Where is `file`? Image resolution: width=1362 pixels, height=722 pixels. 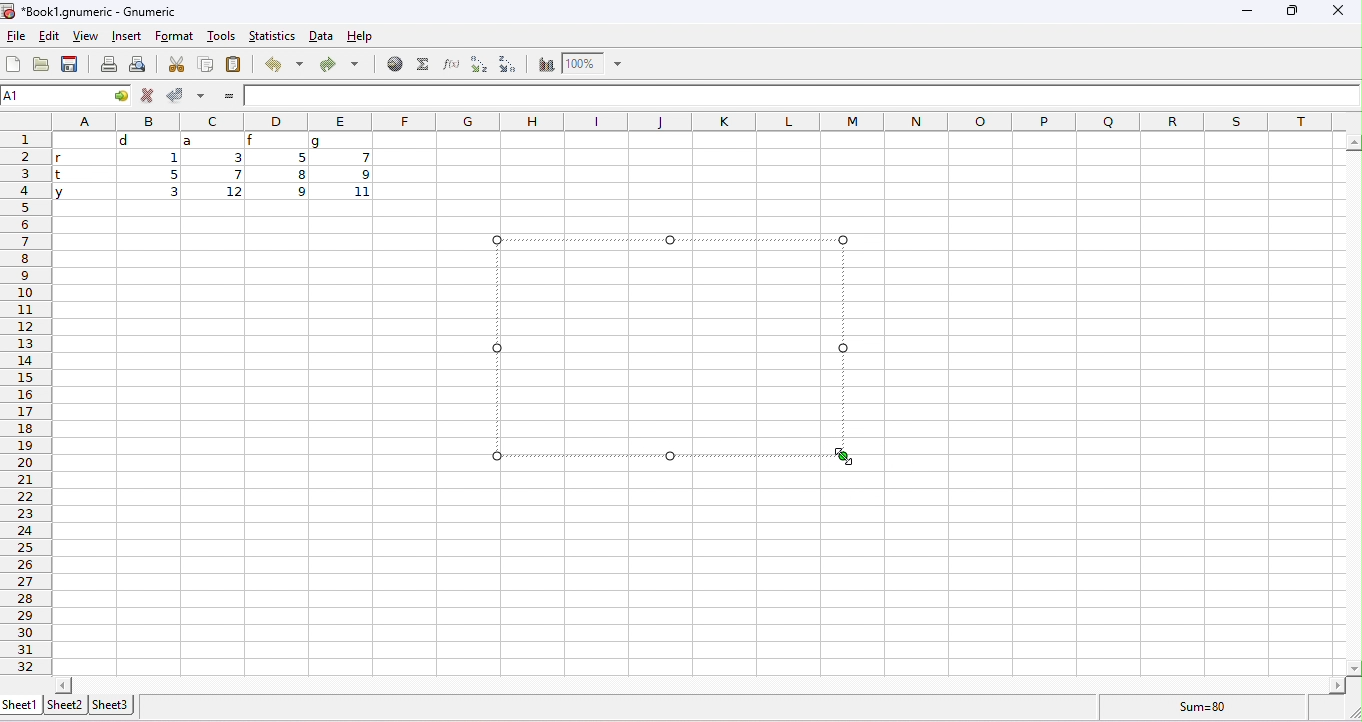 file is located at coordinates (14, 36).